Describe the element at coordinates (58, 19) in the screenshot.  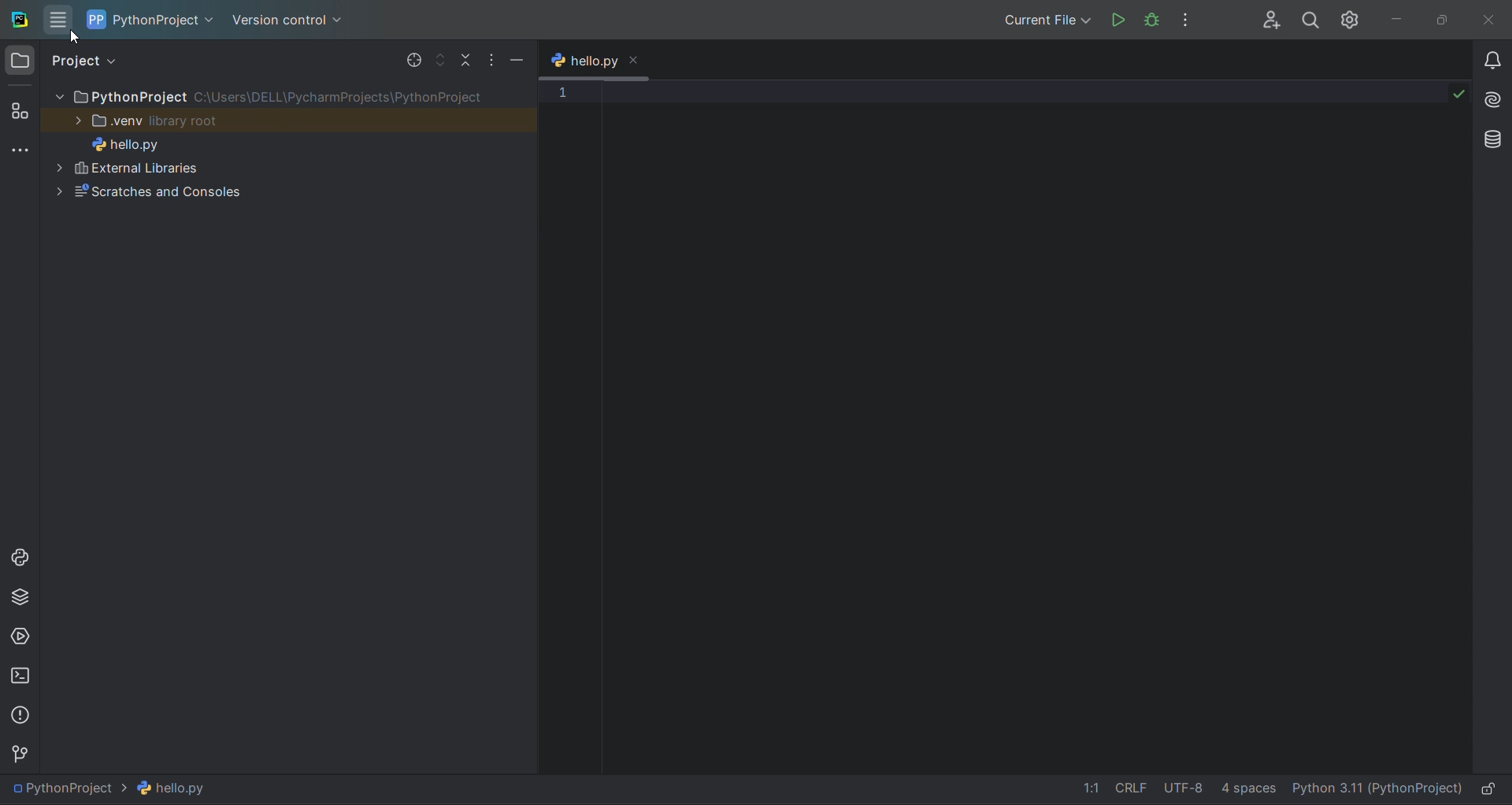
I see `menu` at that location.